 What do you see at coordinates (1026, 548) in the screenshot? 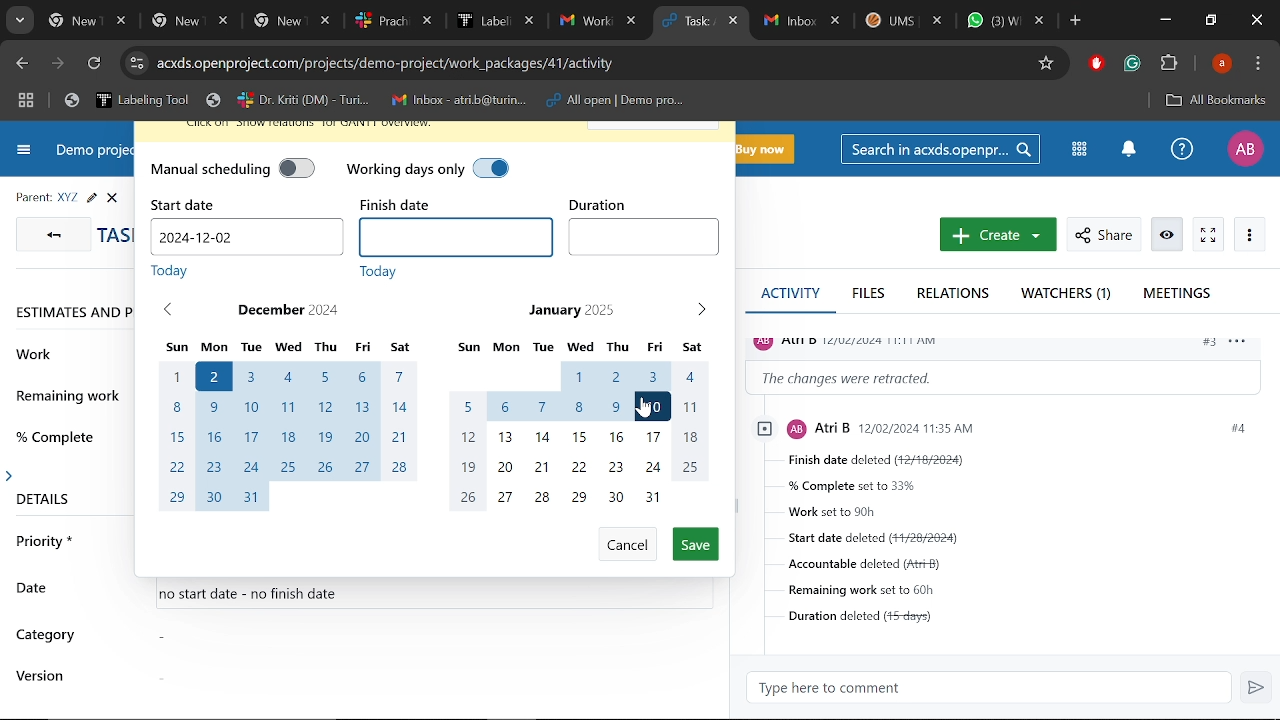
I see `Task details` at bounding box center [1026, 548].